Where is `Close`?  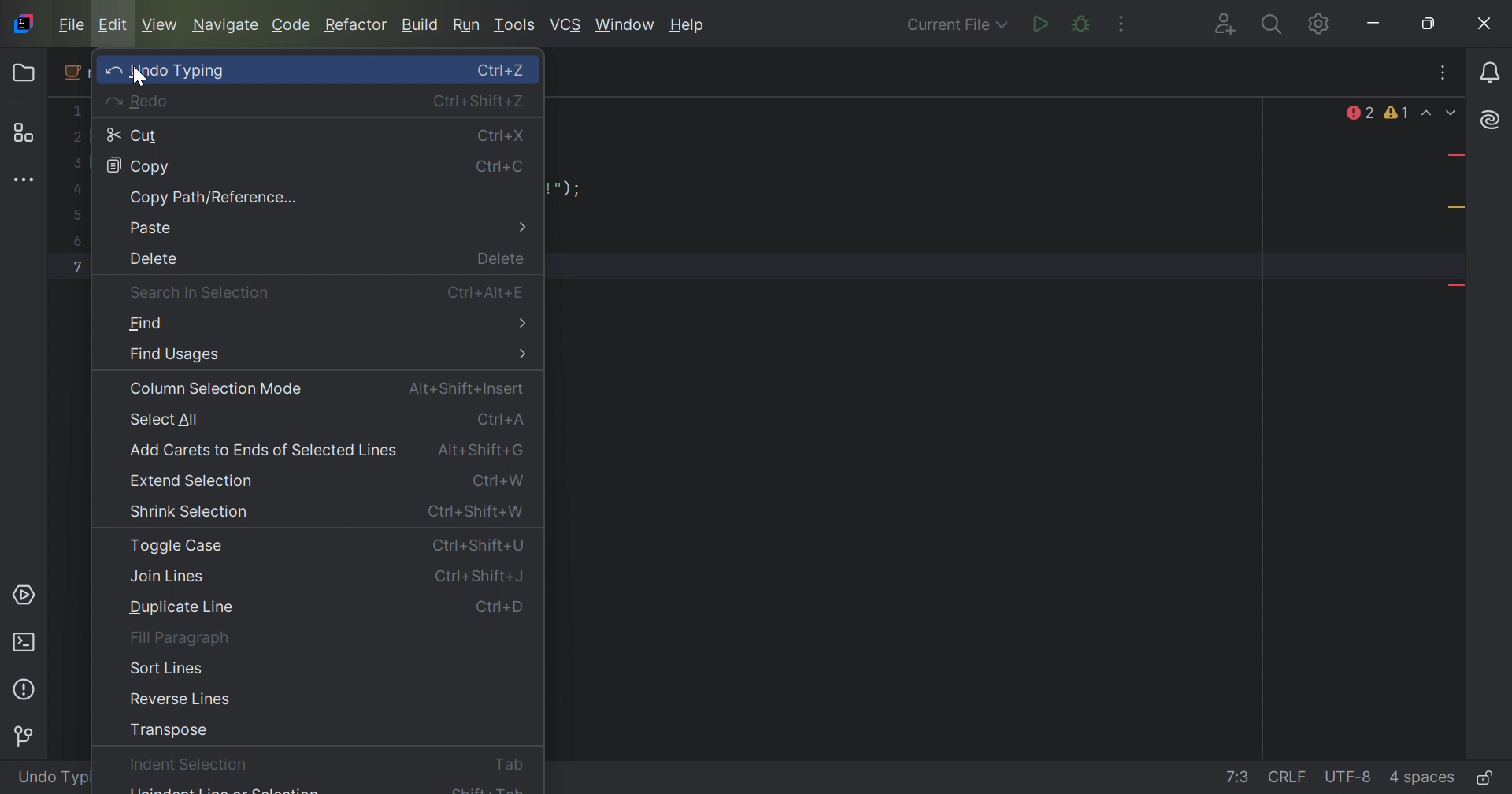 Close is located at coordinates (1488, 24).